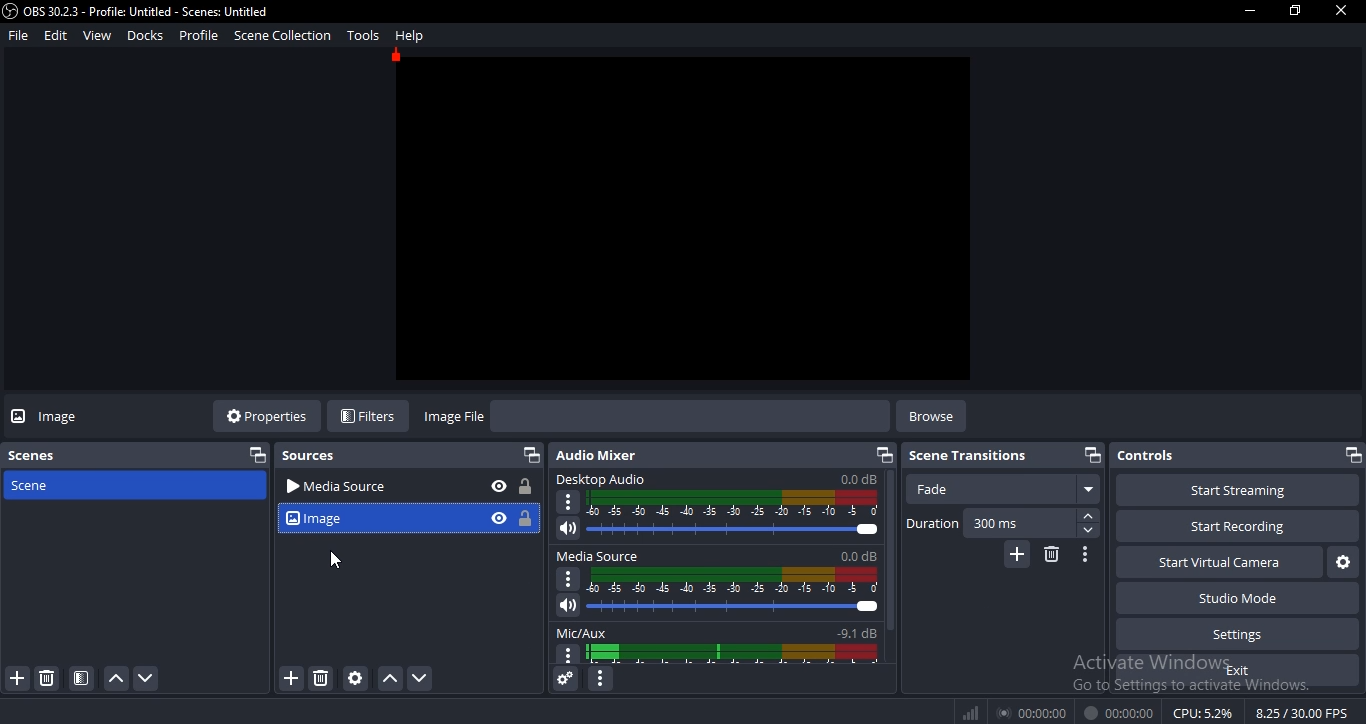 Image resolution: width=1366 pixels, height=724 pixels. What do you see at coordinates (388, 679) in the screenshot?
I see `move up` at bounding box center [388, 679].